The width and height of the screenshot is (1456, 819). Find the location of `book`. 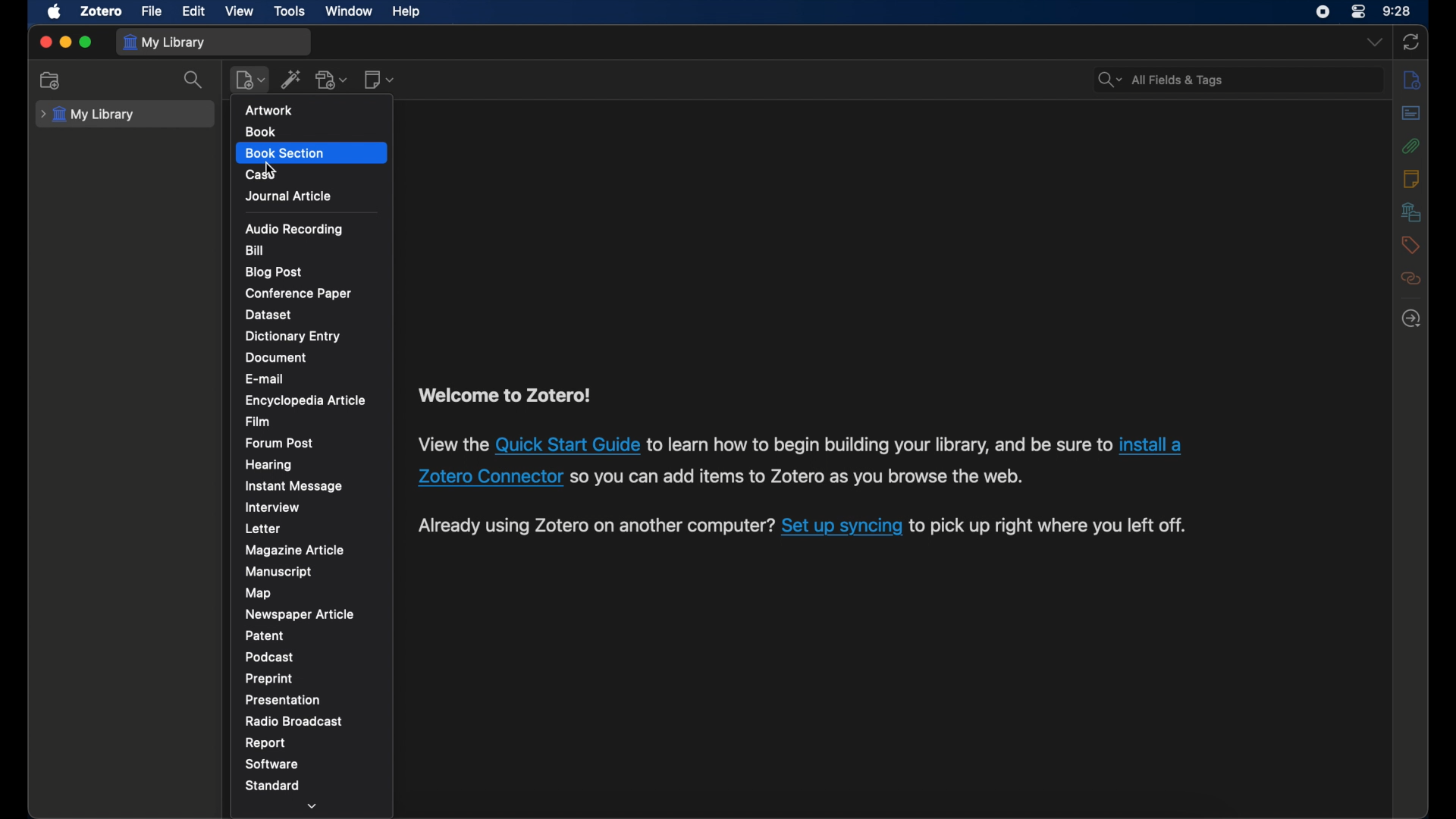

book is located at coordinates (260, 132).